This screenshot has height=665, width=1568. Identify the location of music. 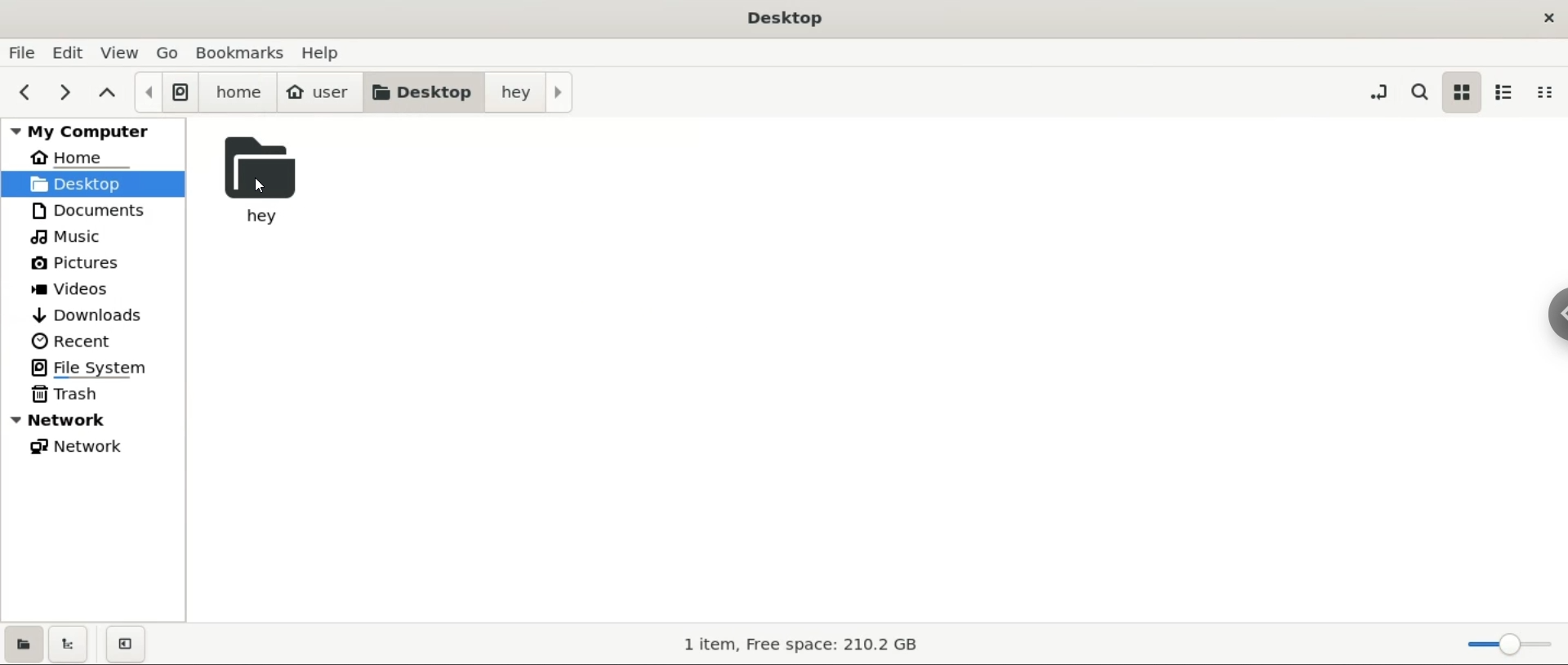
(94, 239).